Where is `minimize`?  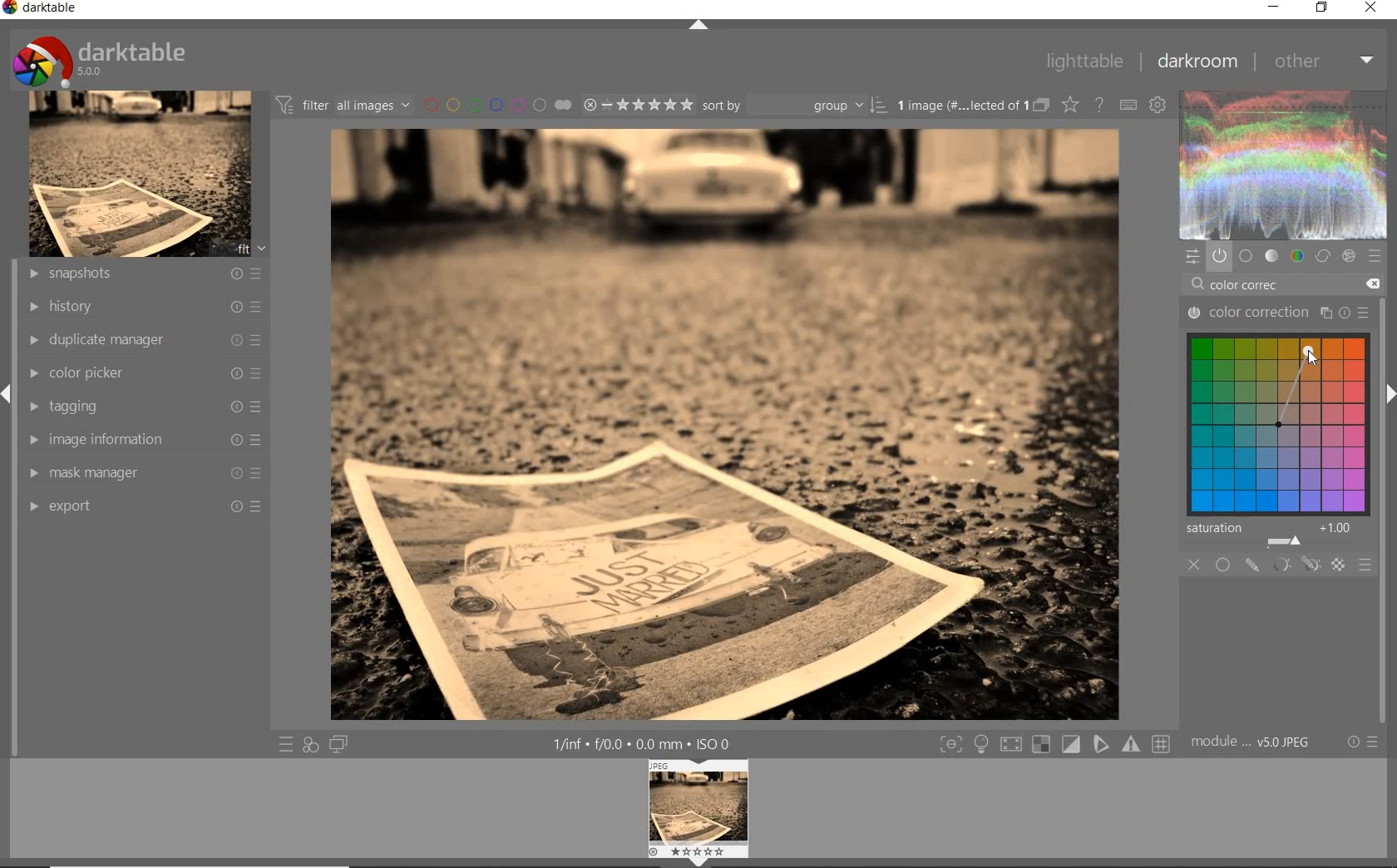 minimize is located at coordinates (1274, 6).